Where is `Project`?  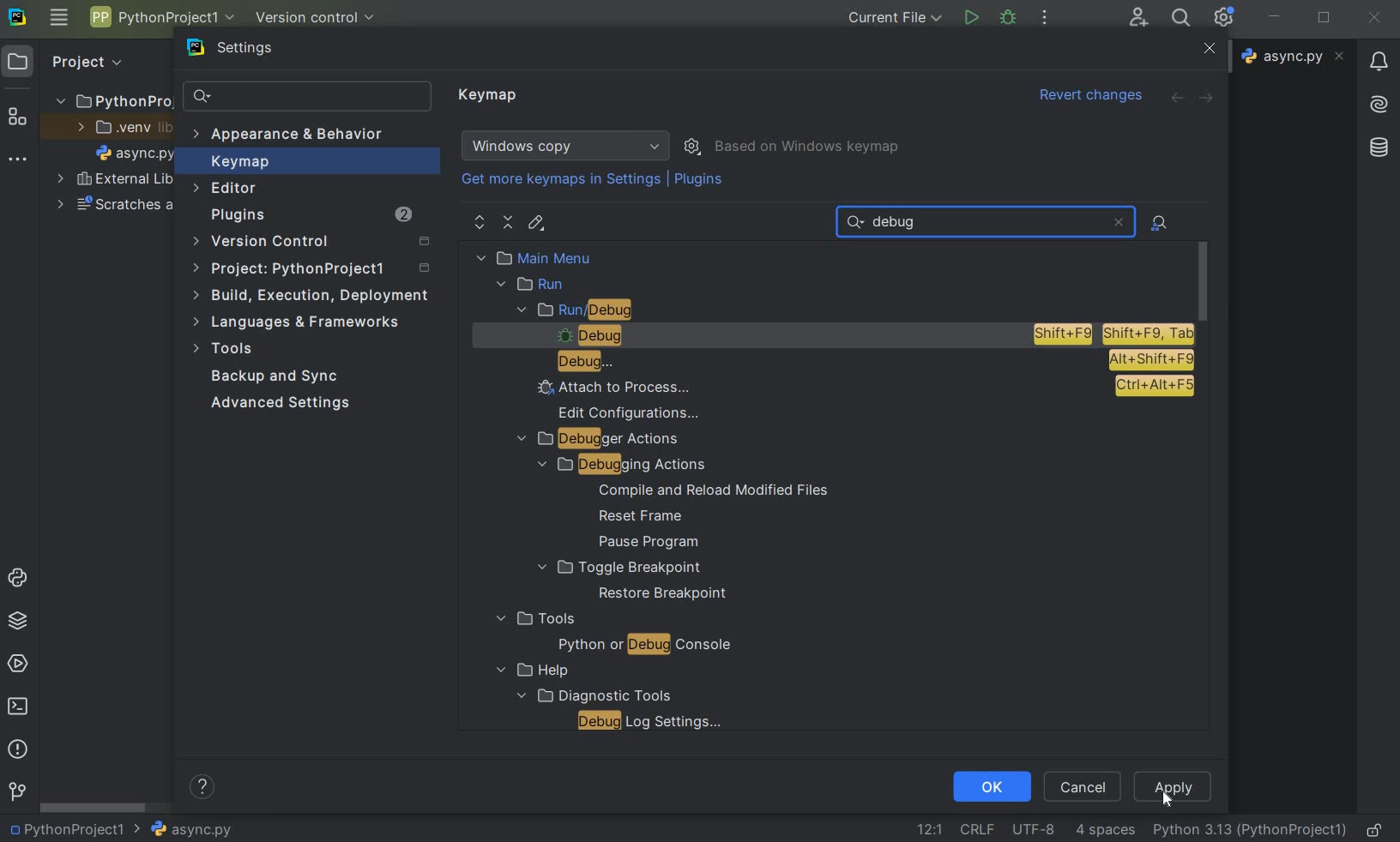 Project is located at coordinates (85, 60).